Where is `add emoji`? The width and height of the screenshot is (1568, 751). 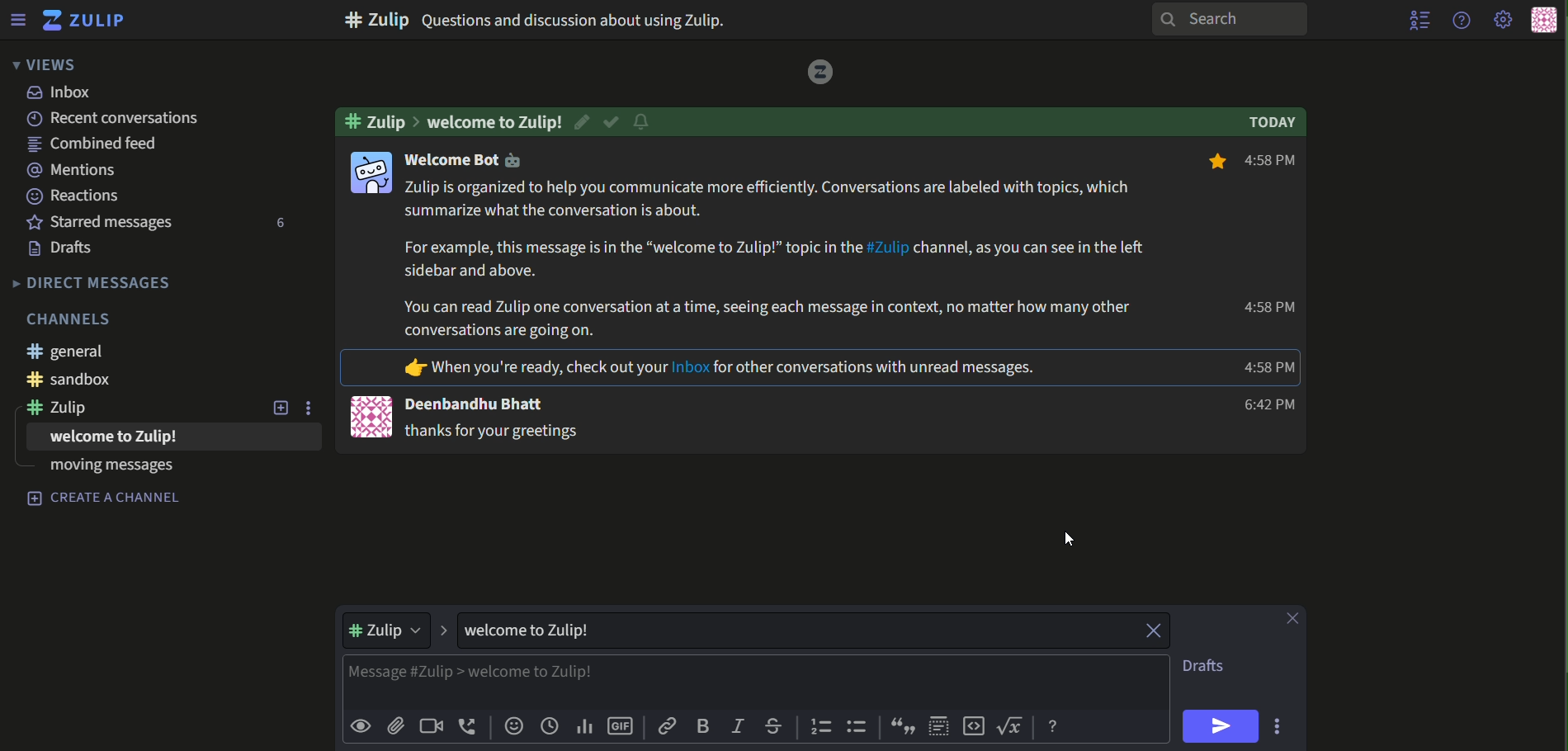
add emoji is located at coordinates (512, 727).